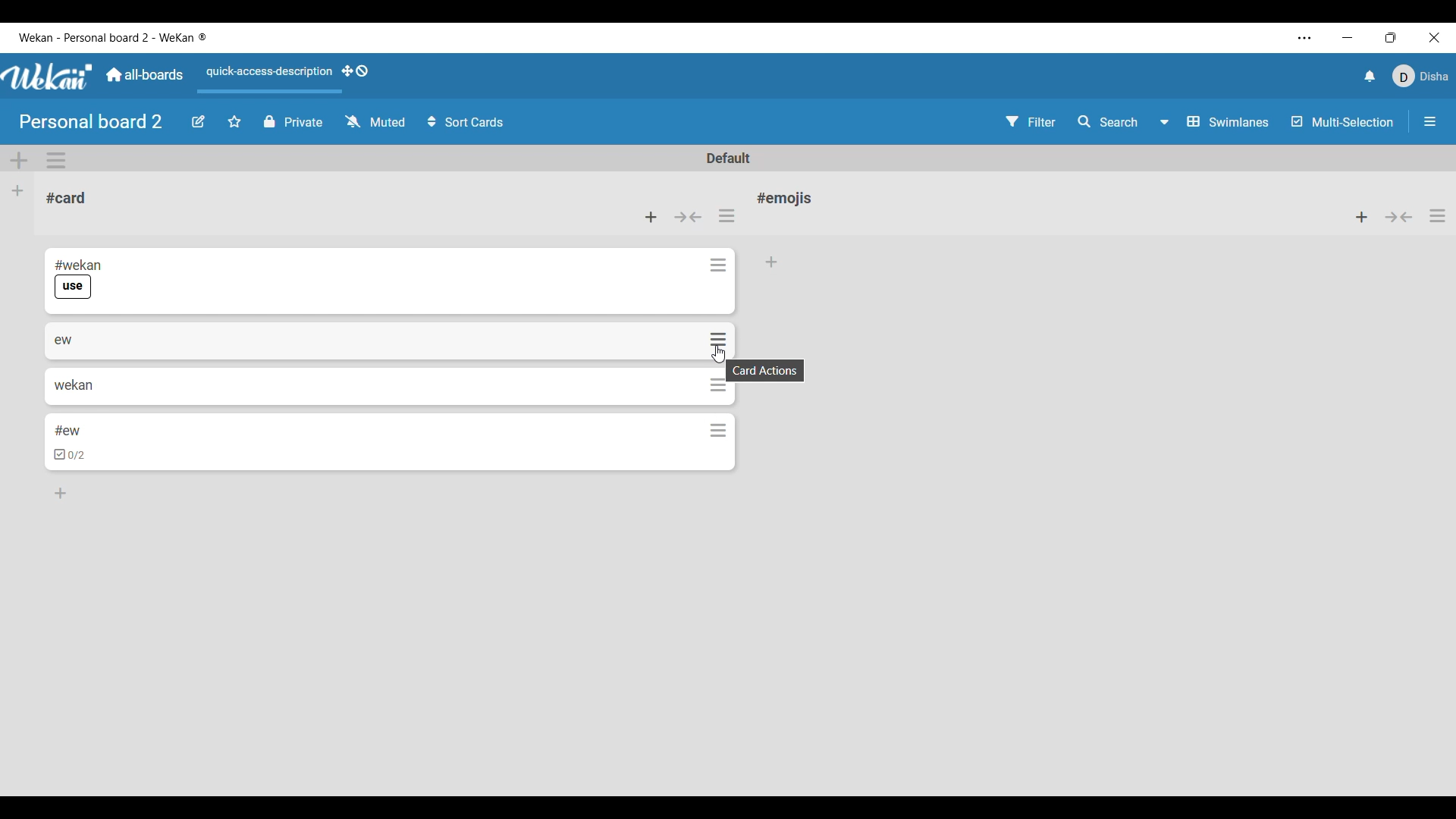 This screenshot has height=819, width=1456. What do you see at coordinates (1430, 121) in the screenshot?
I see `Open/Close sidebar` at bounding box center [1430, 121].